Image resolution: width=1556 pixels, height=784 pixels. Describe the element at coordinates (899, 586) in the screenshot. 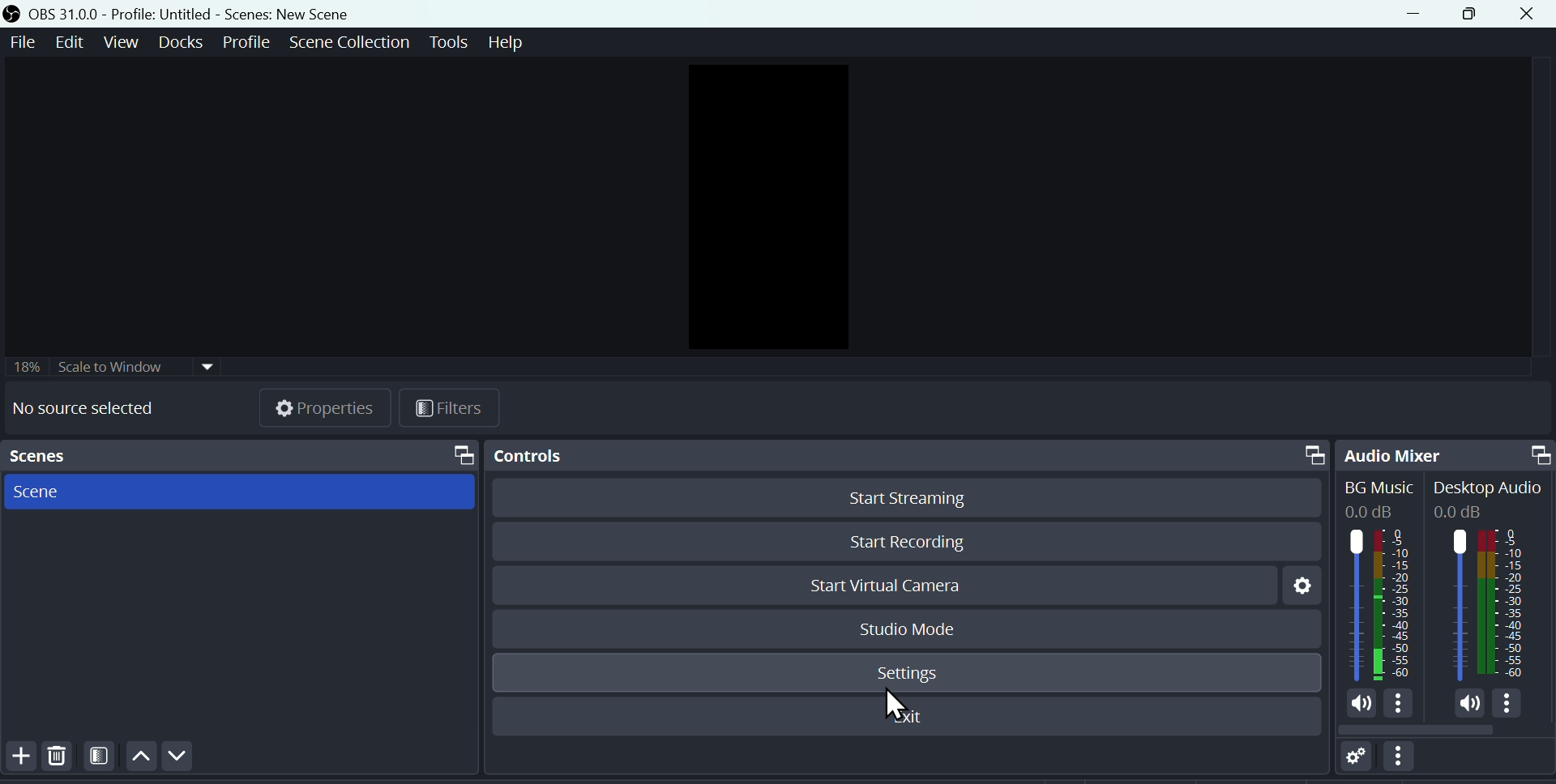

I see `Start virtual camera` at that location.